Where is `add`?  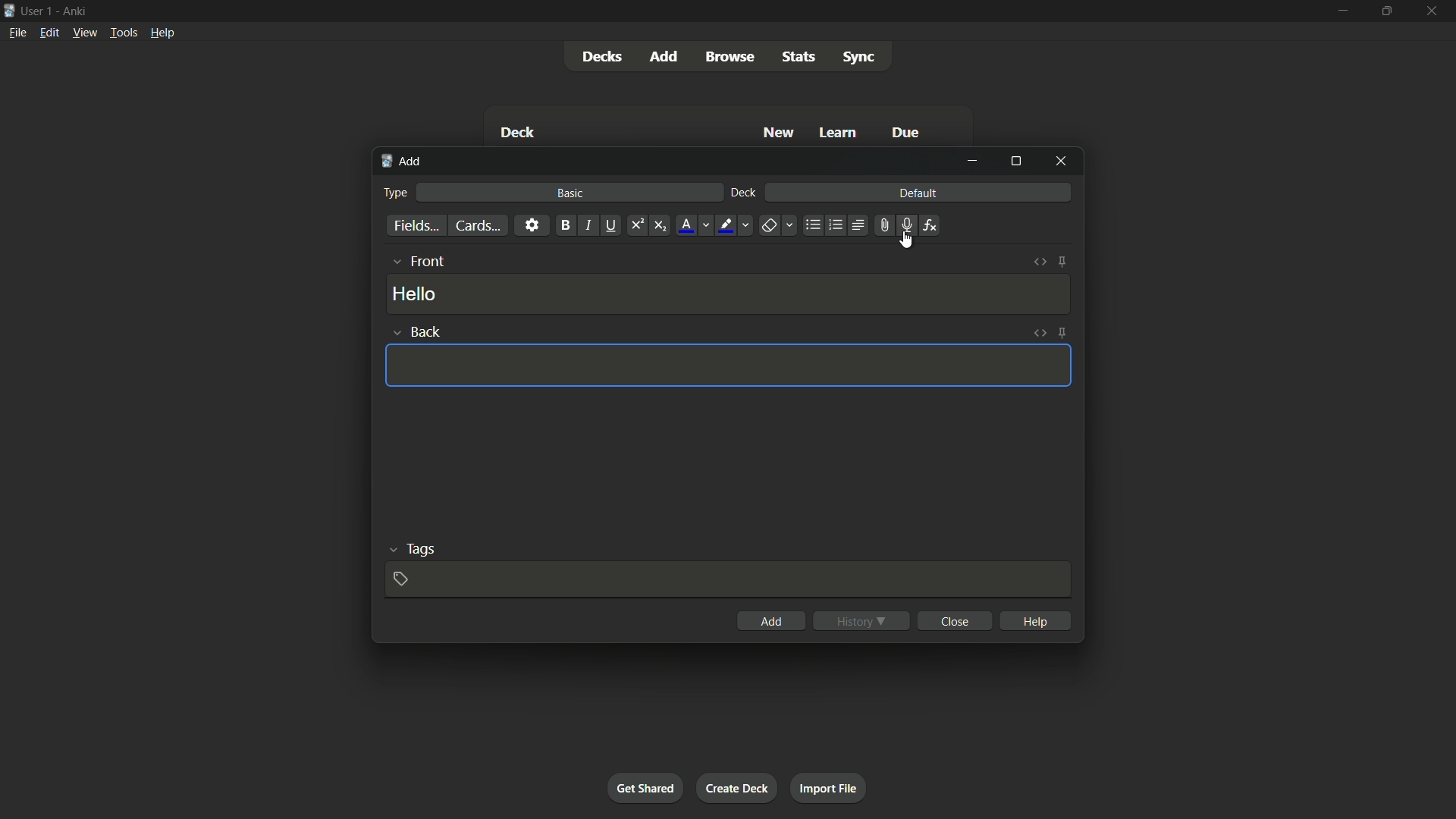
add is located at coordinates (773, 620).